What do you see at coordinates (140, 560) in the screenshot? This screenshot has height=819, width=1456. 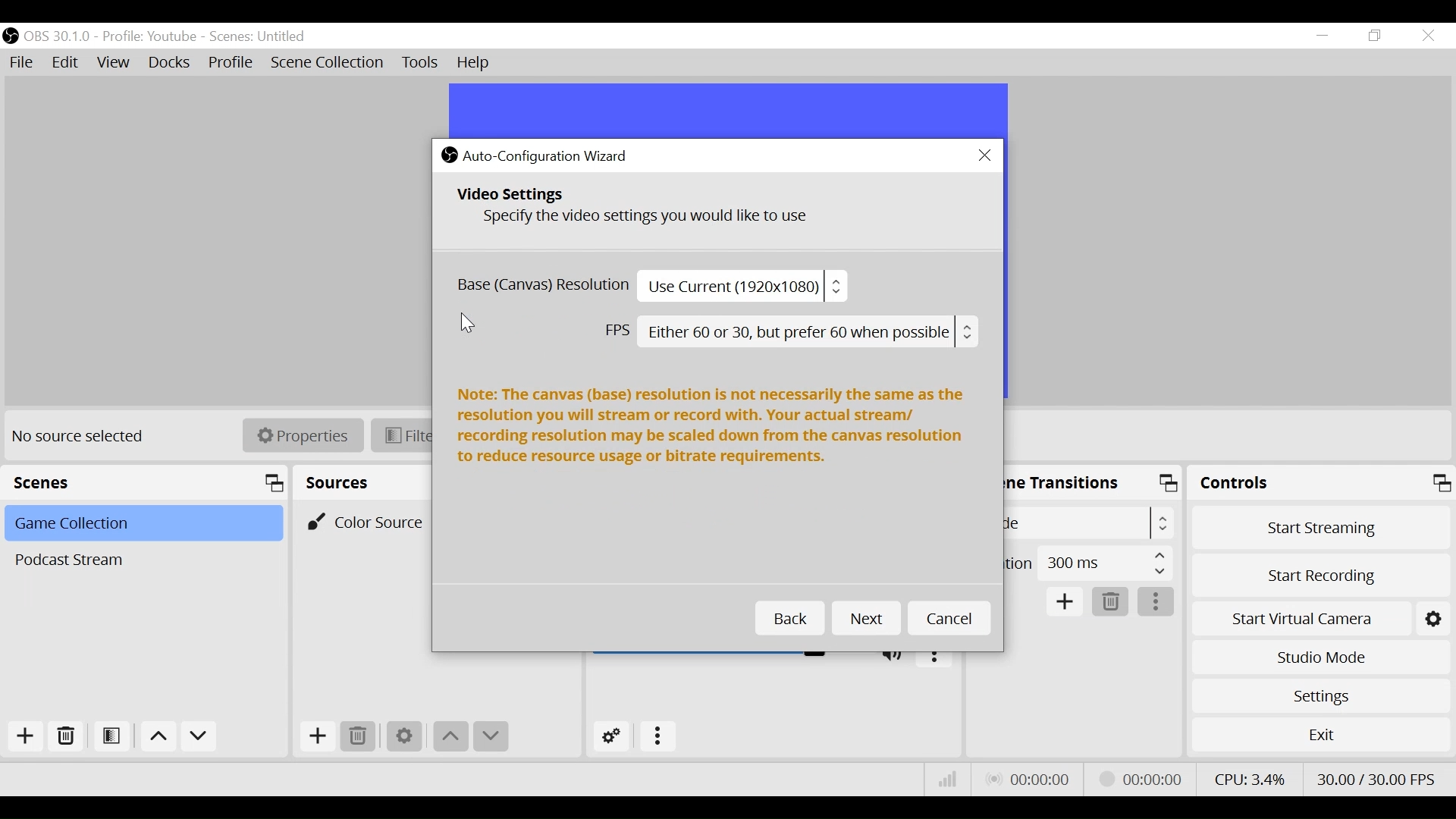 I see `Scene` at bounding box center [140, 560].